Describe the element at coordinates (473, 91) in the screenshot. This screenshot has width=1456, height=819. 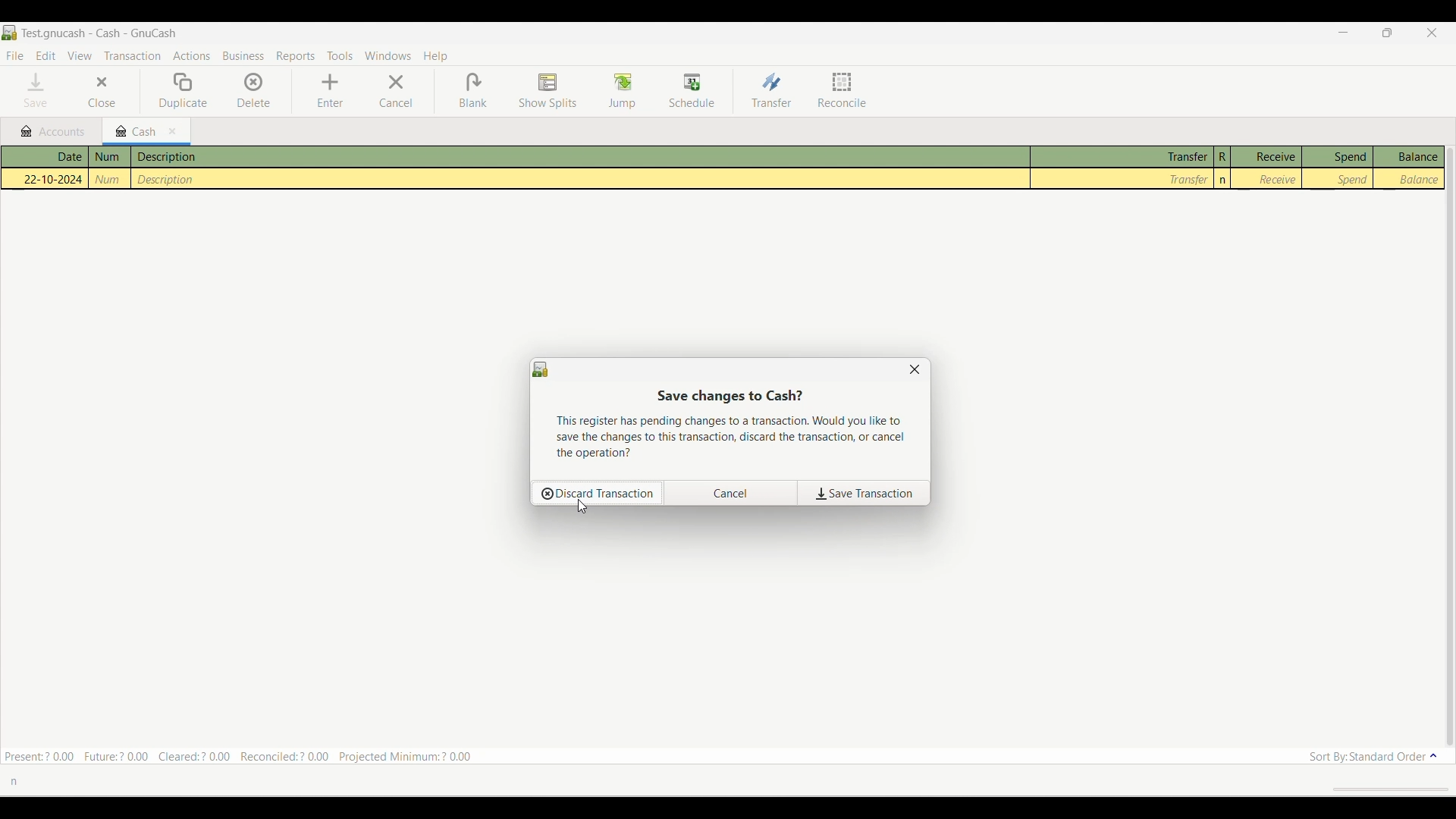
I see `Blank` at that location.